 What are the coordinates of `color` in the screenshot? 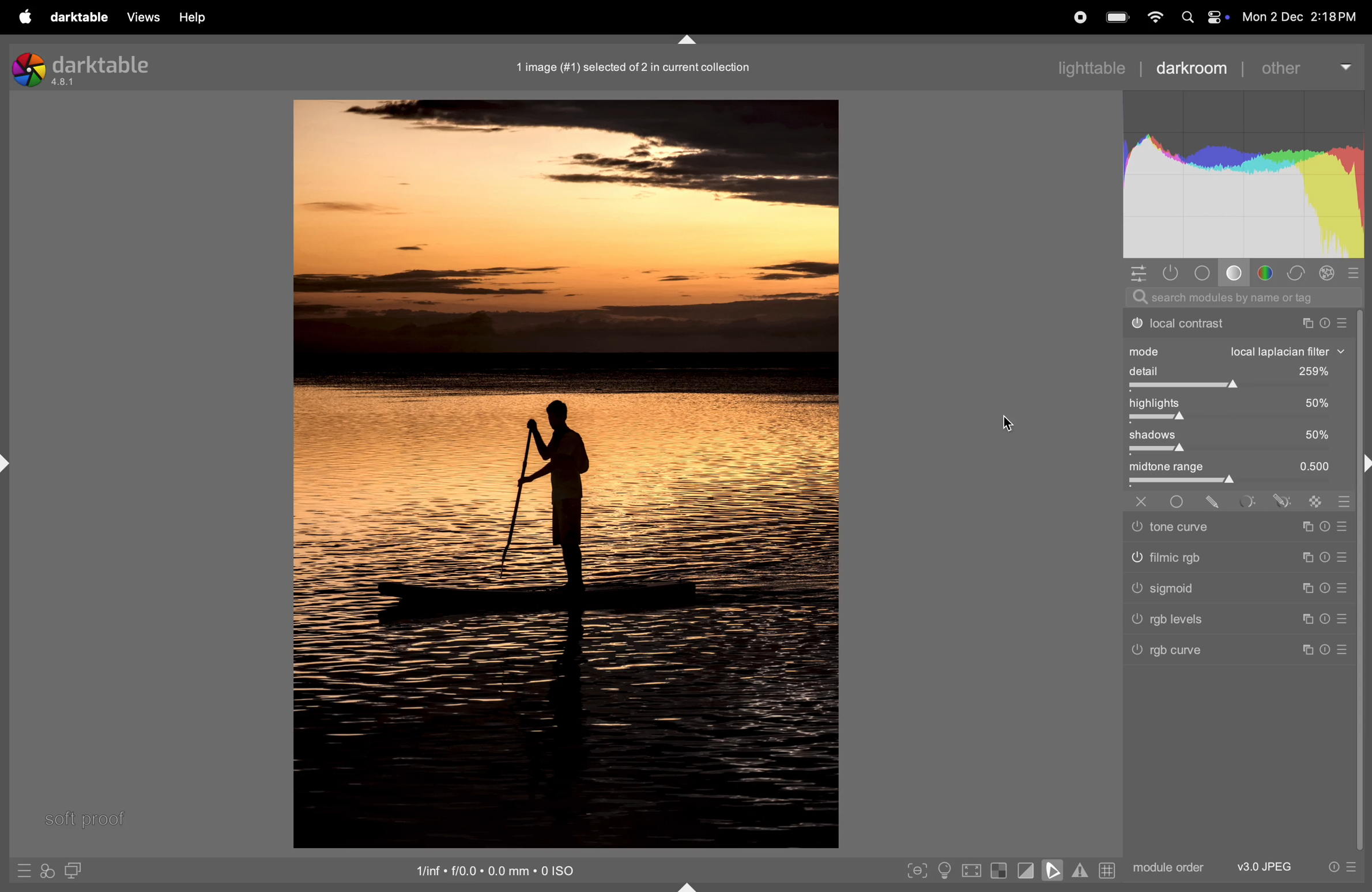 It's located at (1269, 273).